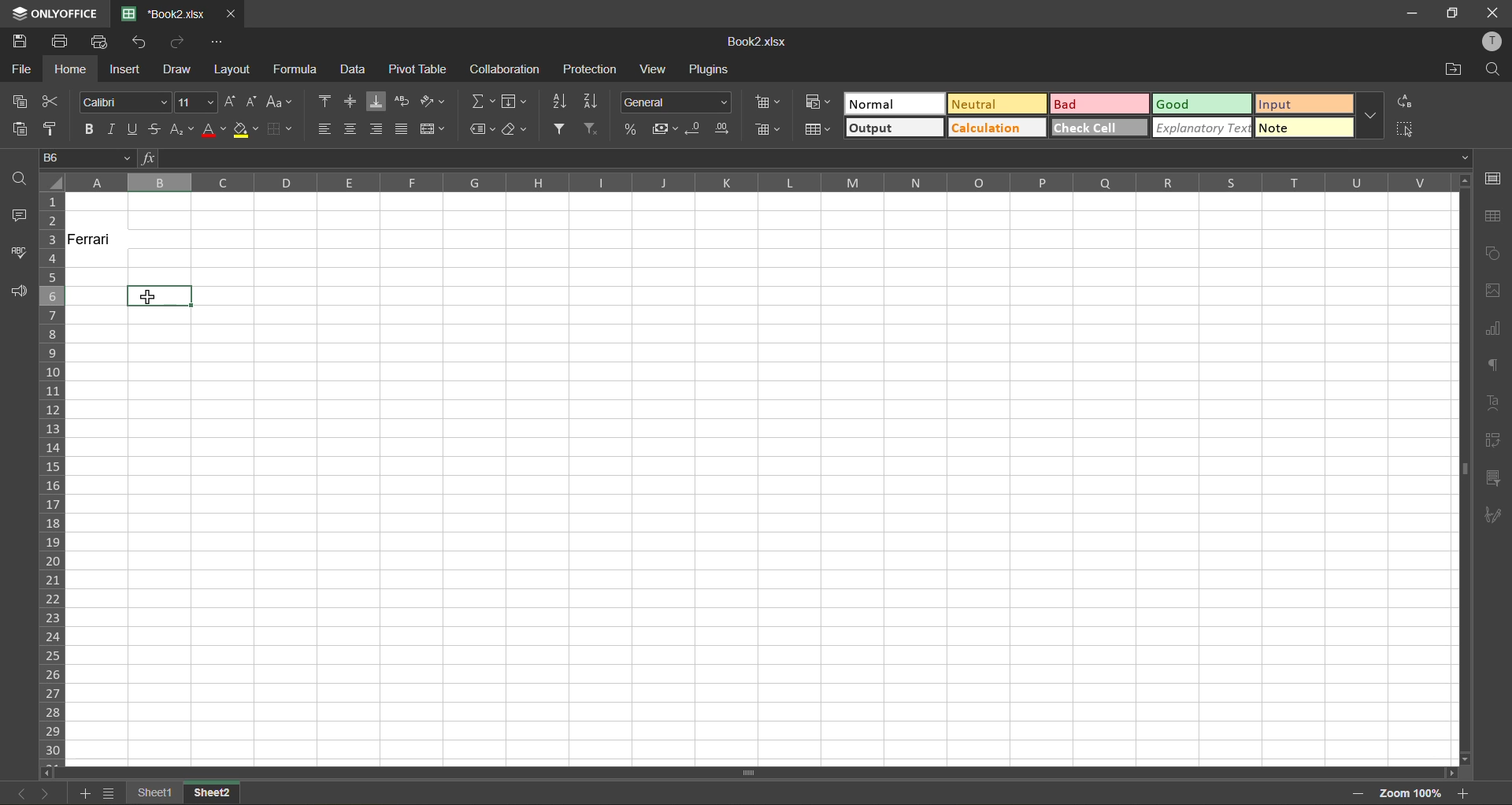  Describe the element at coordinates (631, 128) in the screenshot. I see `percent` at that location.